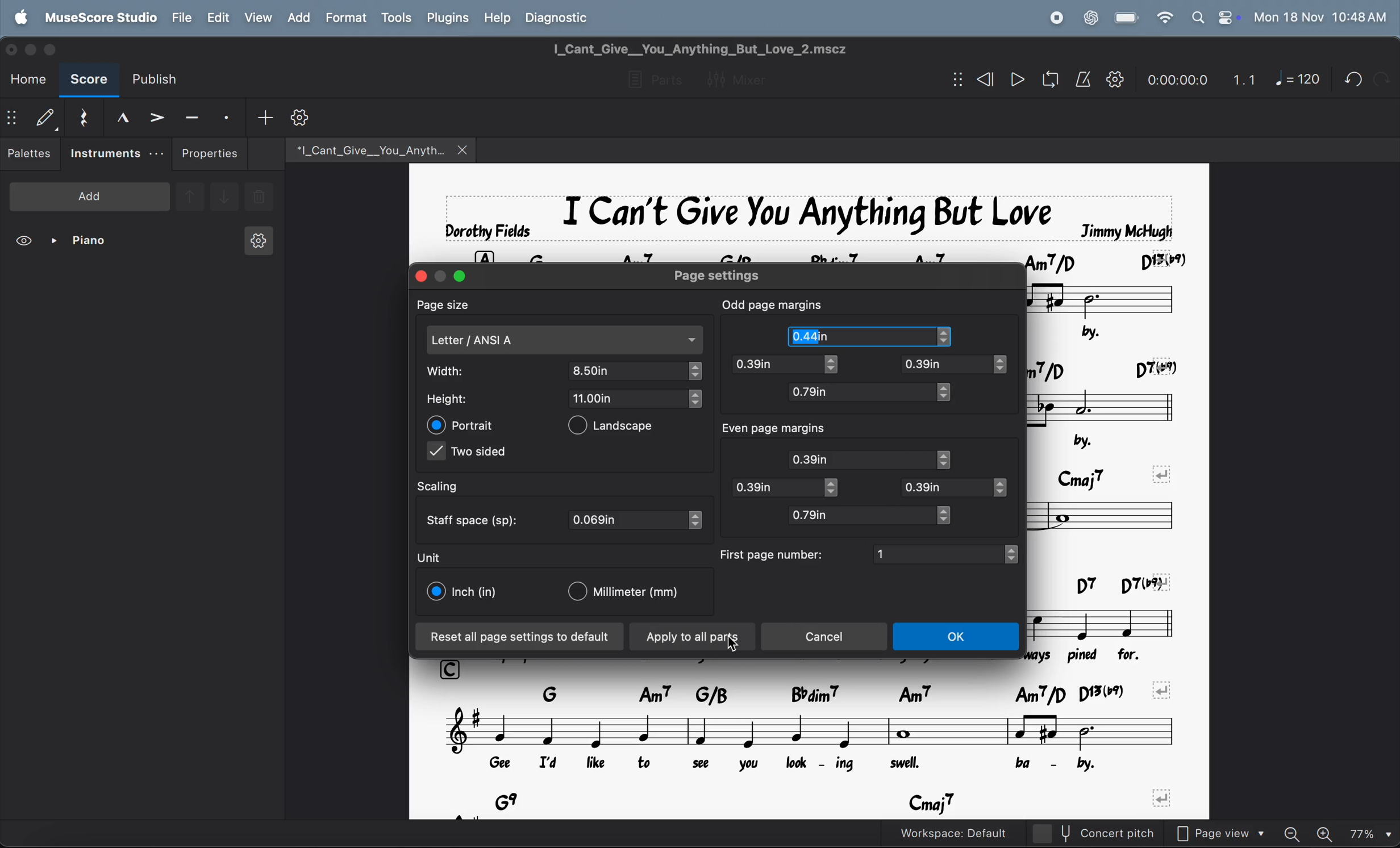  What do you see at coordinates (257, 244) in the screenshot?
I see `instrument settings` at bounding box center [257, 244].